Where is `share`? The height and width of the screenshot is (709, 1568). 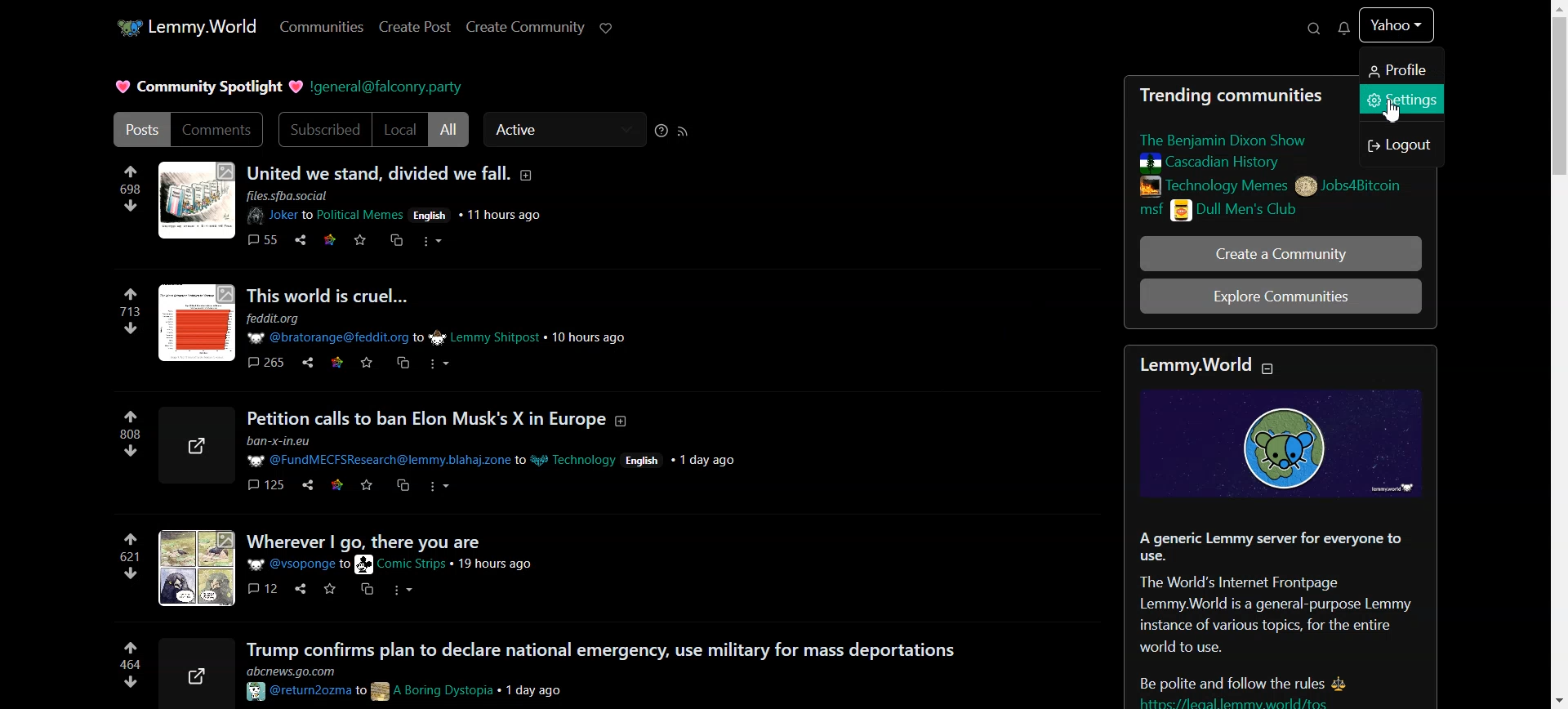 share is located at coordinates (197, 671).